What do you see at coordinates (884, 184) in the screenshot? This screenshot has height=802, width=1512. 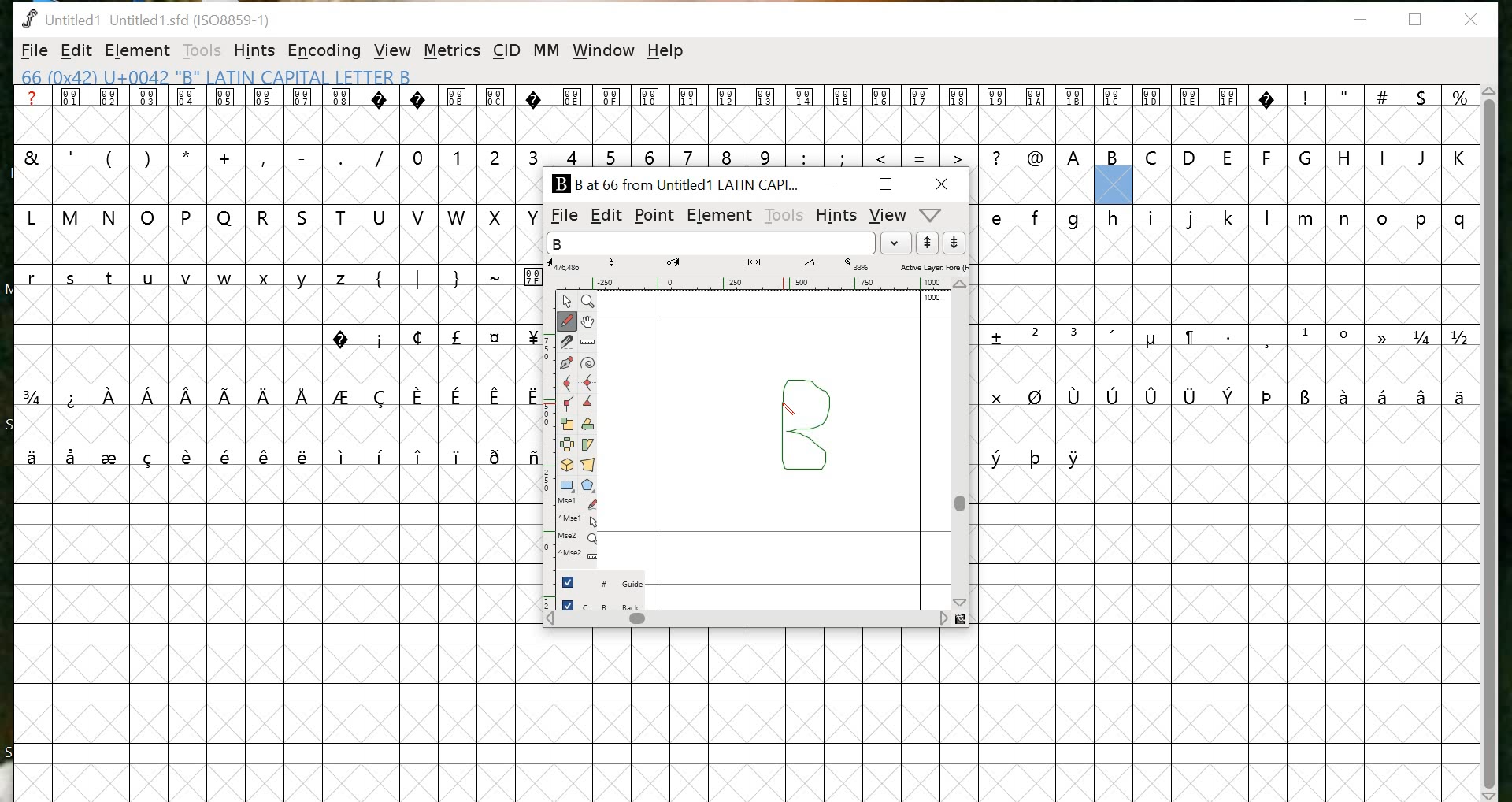 I see `maximize` at bounding box center [884, 184].